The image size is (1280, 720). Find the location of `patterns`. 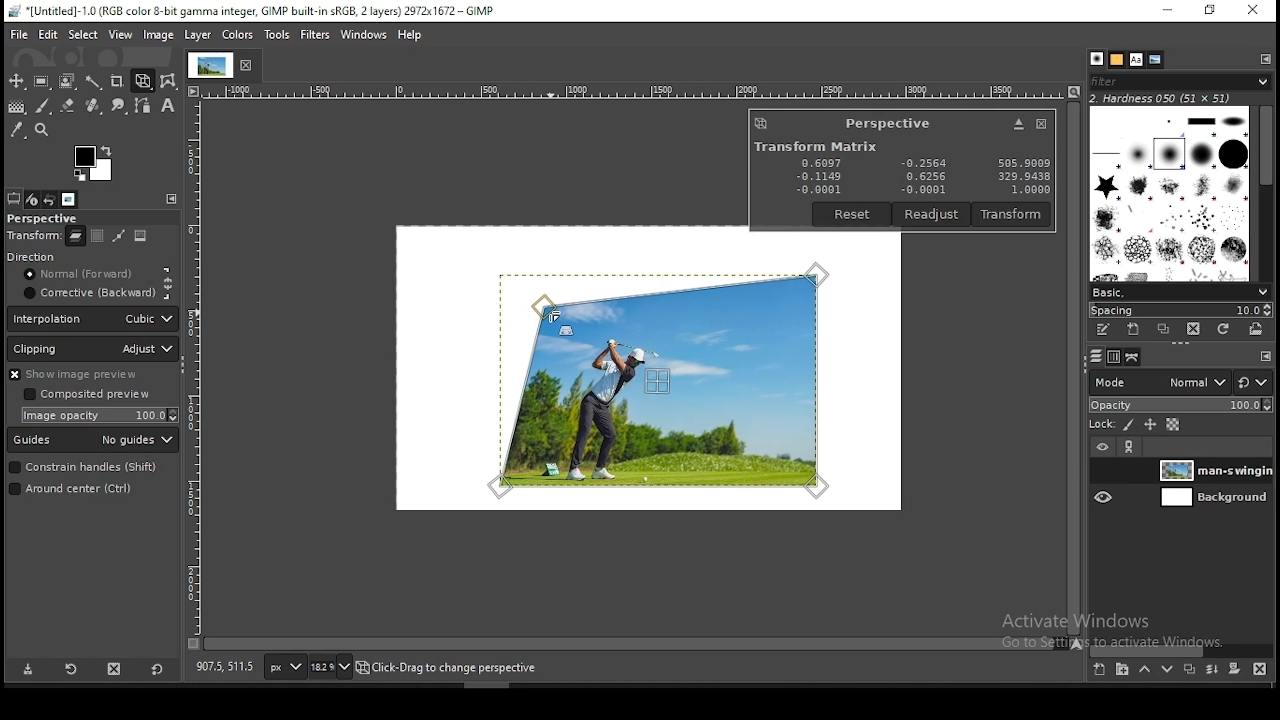

patterns is located at coordinates (1116, 59).